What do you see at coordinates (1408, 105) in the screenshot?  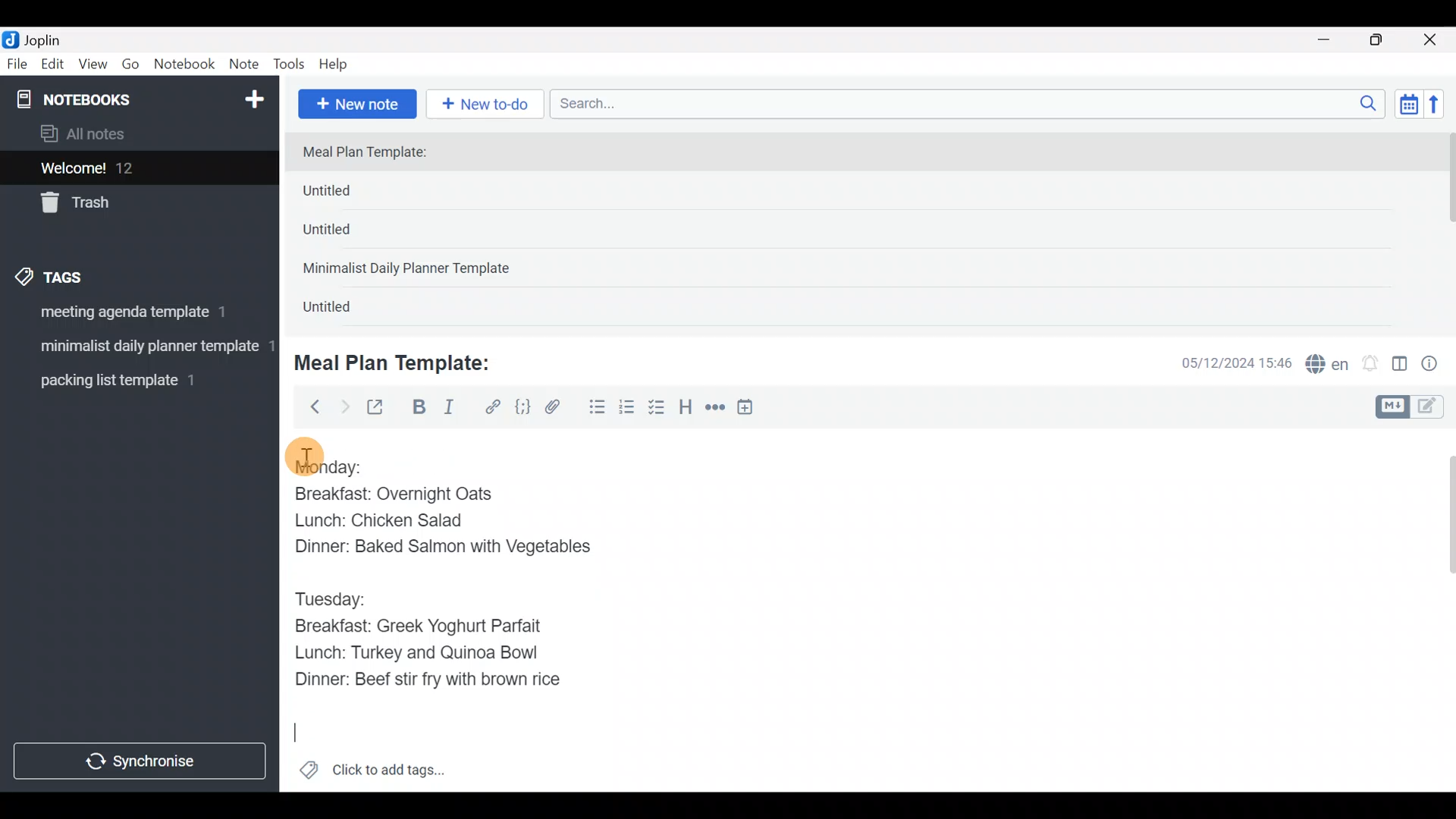 I see `Toggle sort order` at bounding box center [1408, 105].